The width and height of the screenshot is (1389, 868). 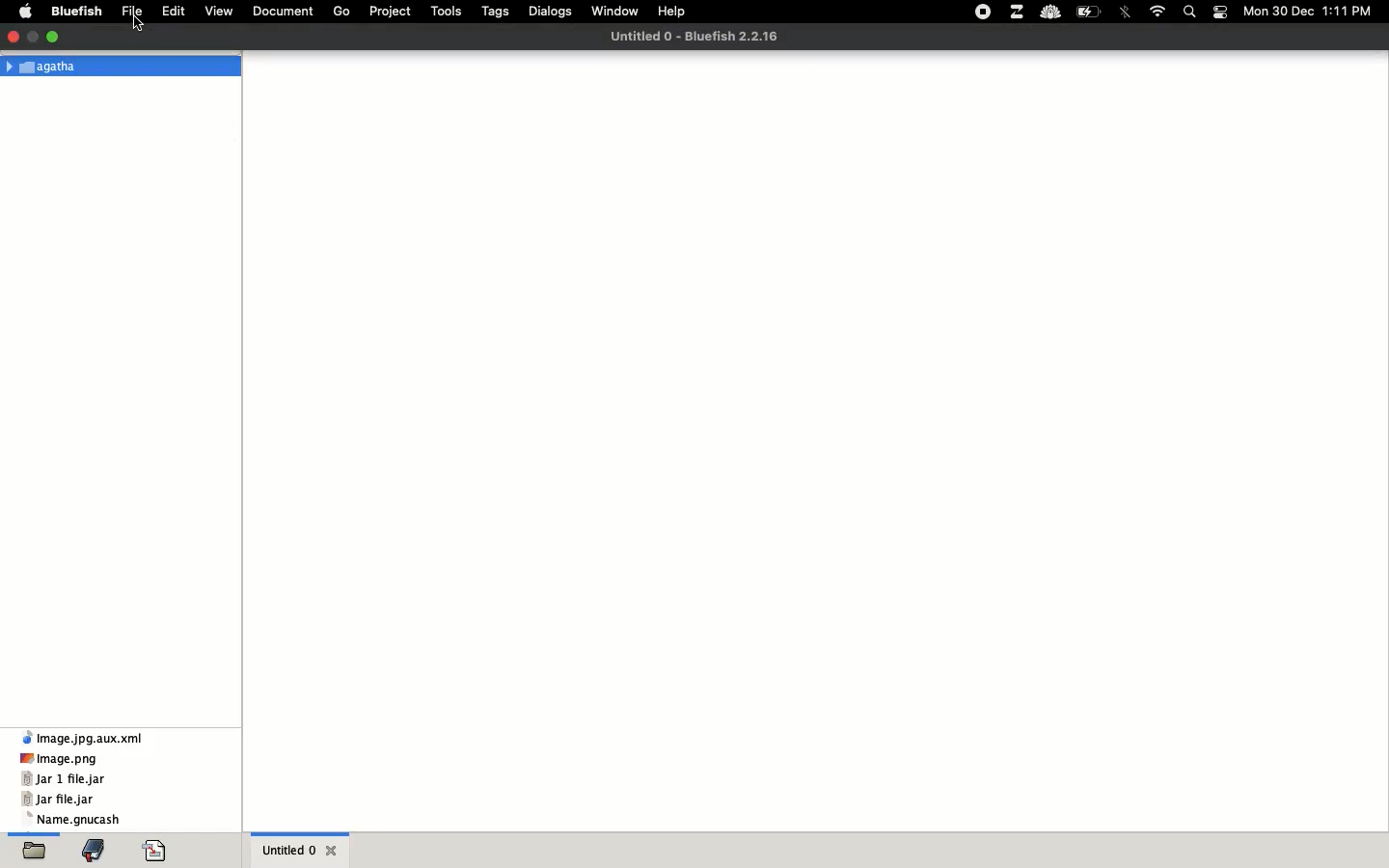 I want to click on Untitled 0 - Bluefish 2.2.16, so click(x=694, y=36).